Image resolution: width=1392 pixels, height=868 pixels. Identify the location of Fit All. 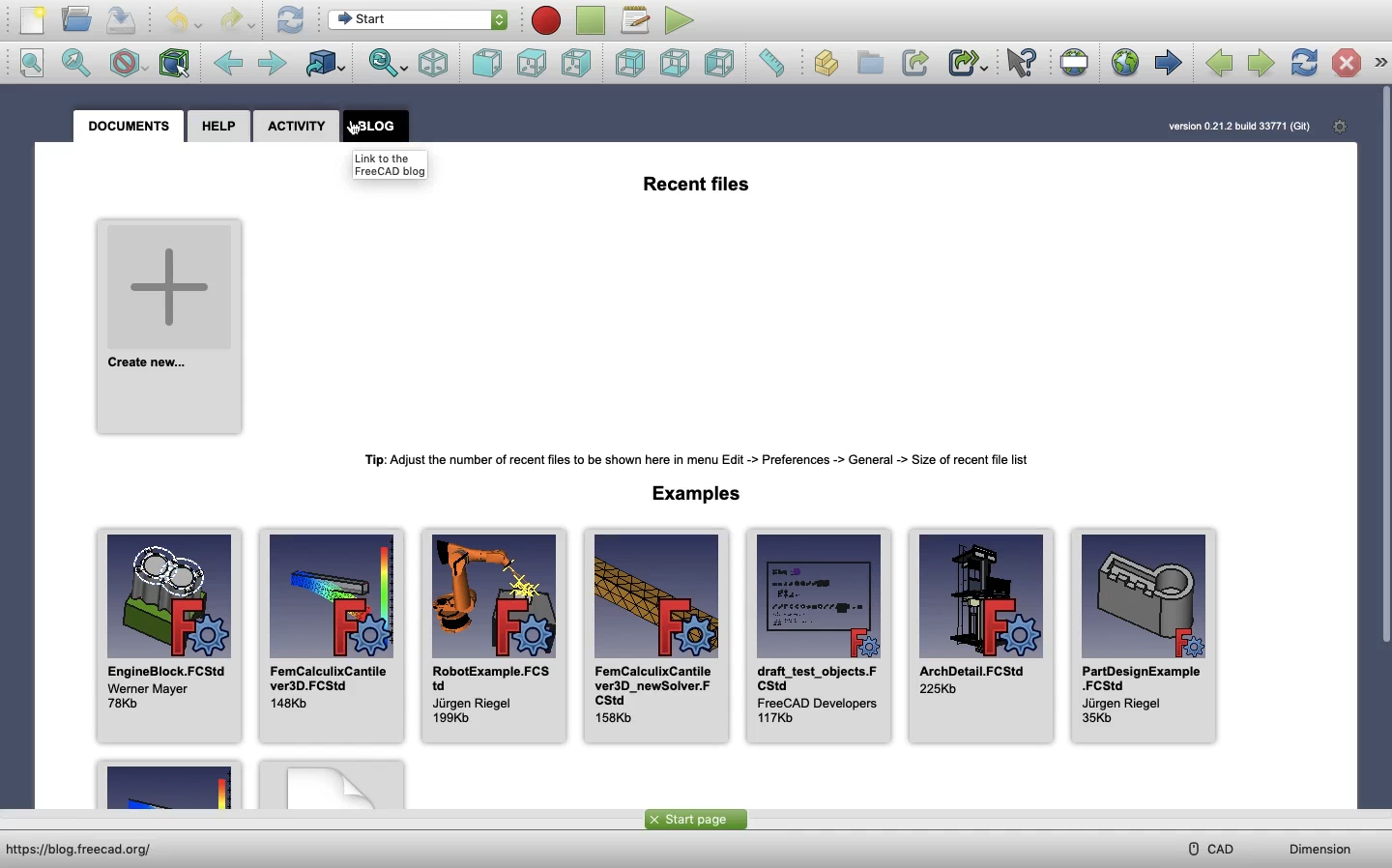
(75, 62).